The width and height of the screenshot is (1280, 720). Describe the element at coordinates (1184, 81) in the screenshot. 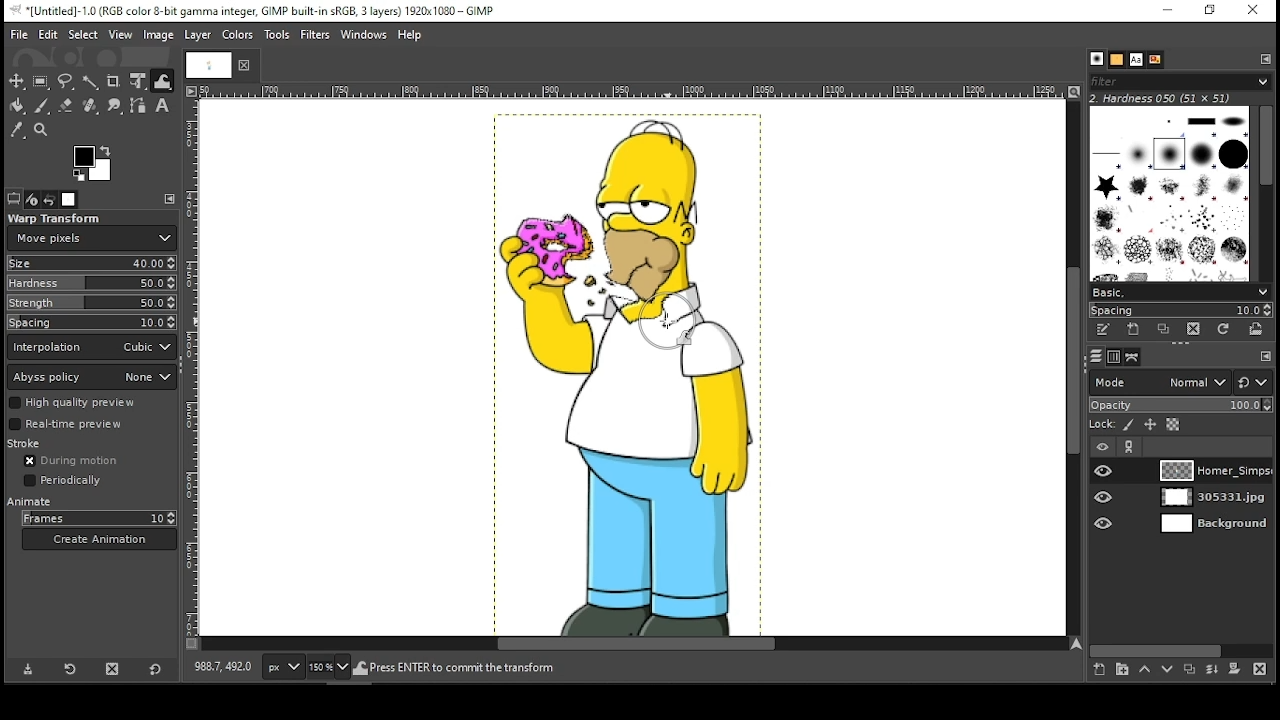

I see `filter` at that location.